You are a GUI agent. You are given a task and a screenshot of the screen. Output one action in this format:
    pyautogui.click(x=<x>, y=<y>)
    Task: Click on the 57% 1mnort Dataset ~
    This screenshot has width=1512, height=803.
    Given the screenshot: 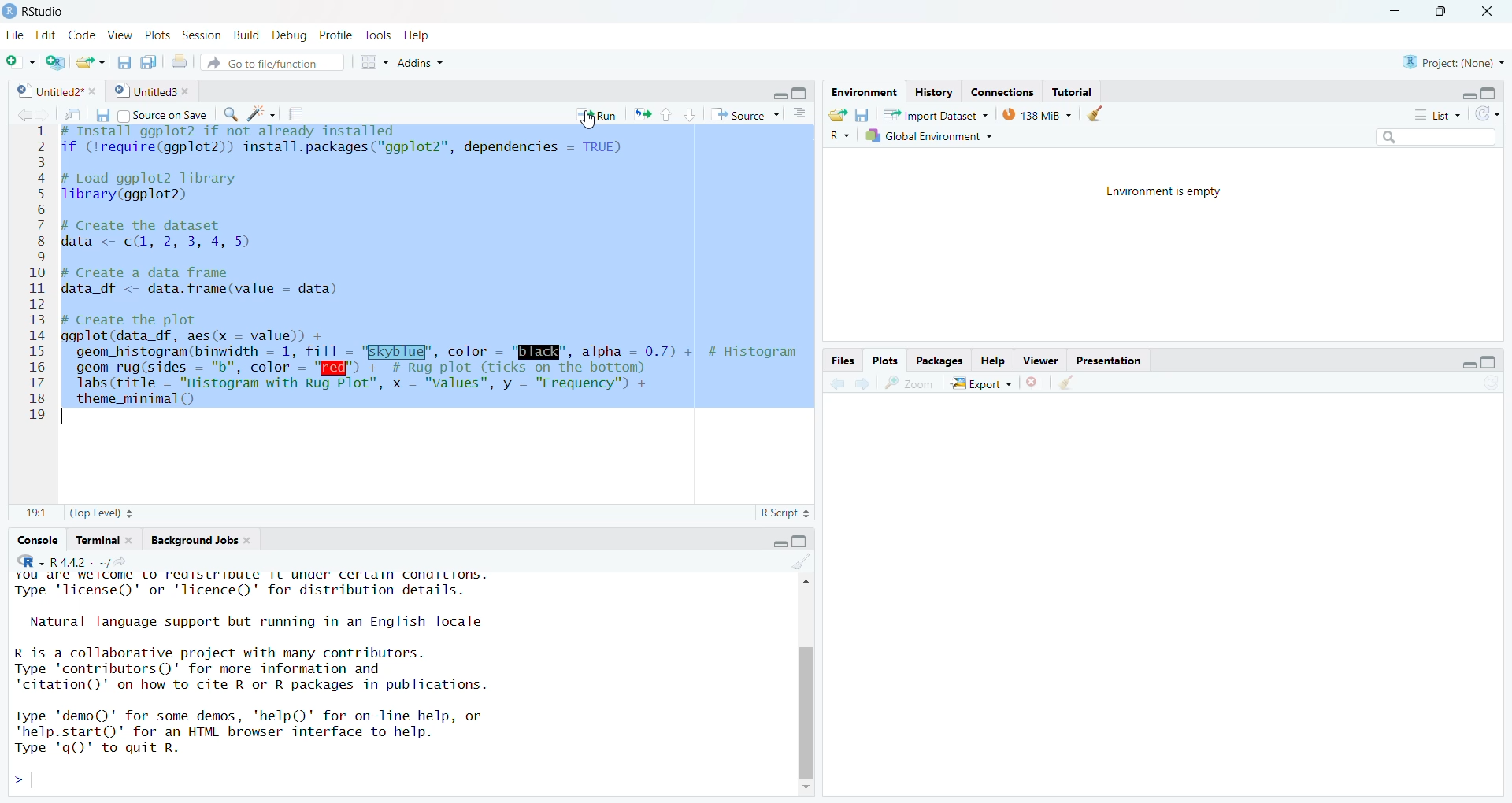 What is the action you would take?
    pyautogui.click(x=932, y=113)
    